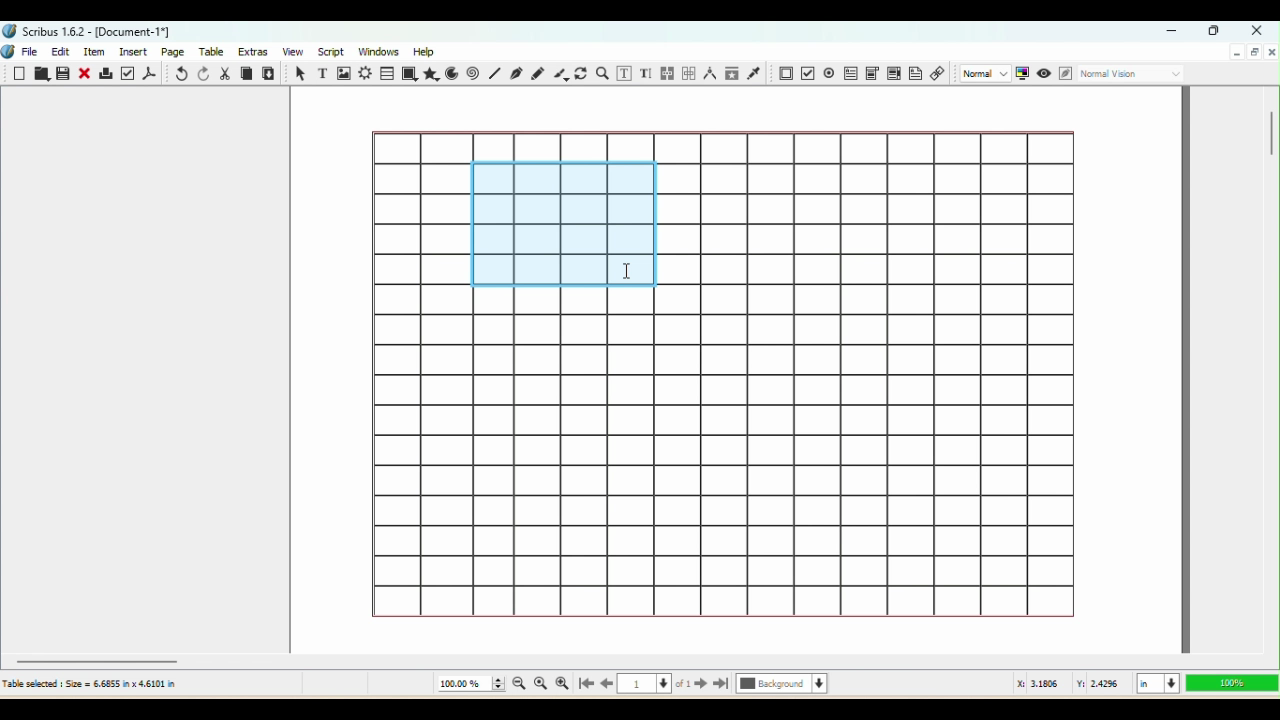  What do you see at coordinates (756, 74) in the screenshot?
I see `Eye dropper` at bounding box center [756, 74].